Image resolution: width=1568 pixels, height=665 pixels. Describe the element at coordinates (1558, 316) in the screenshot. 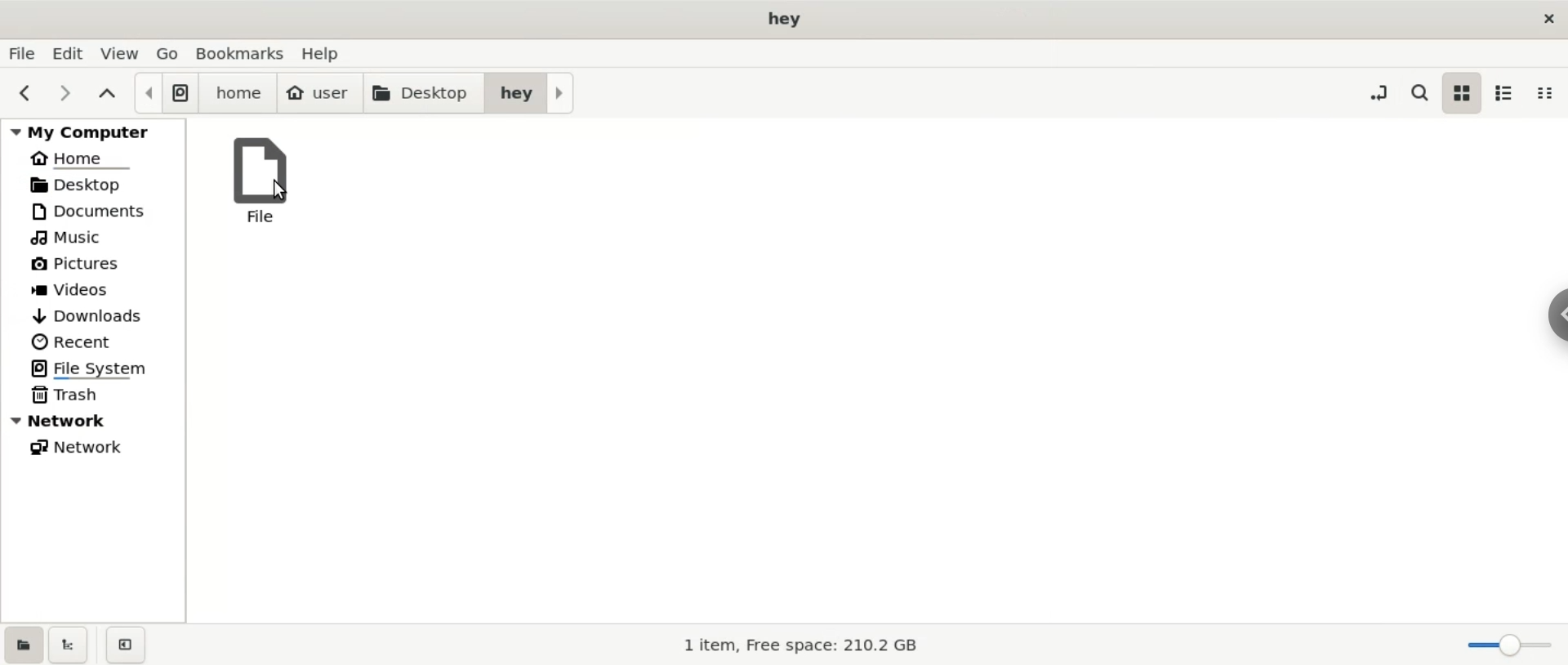

I see `sidebar` at that location.